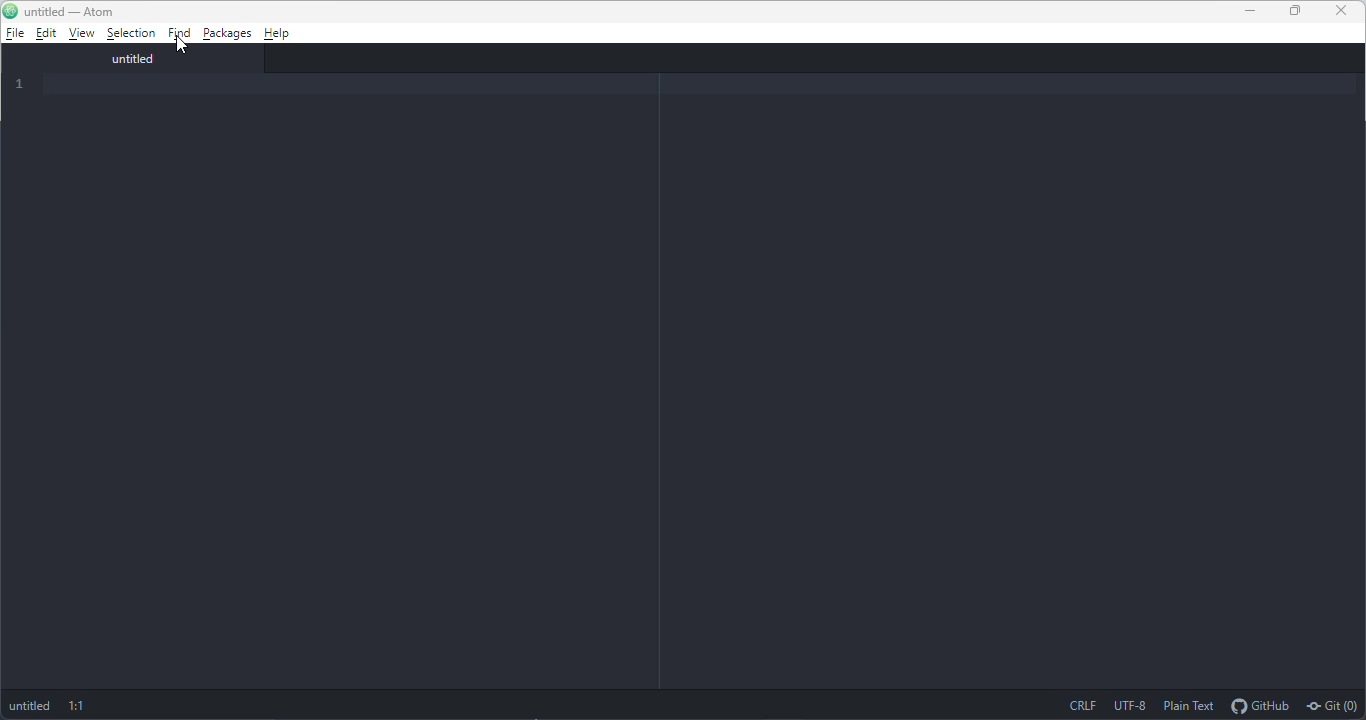 The width and height of the screenshot is (1366, 720). Describe the element at coordinates (78, 11) in the screenshot. I see `untitled-atom` at that location.